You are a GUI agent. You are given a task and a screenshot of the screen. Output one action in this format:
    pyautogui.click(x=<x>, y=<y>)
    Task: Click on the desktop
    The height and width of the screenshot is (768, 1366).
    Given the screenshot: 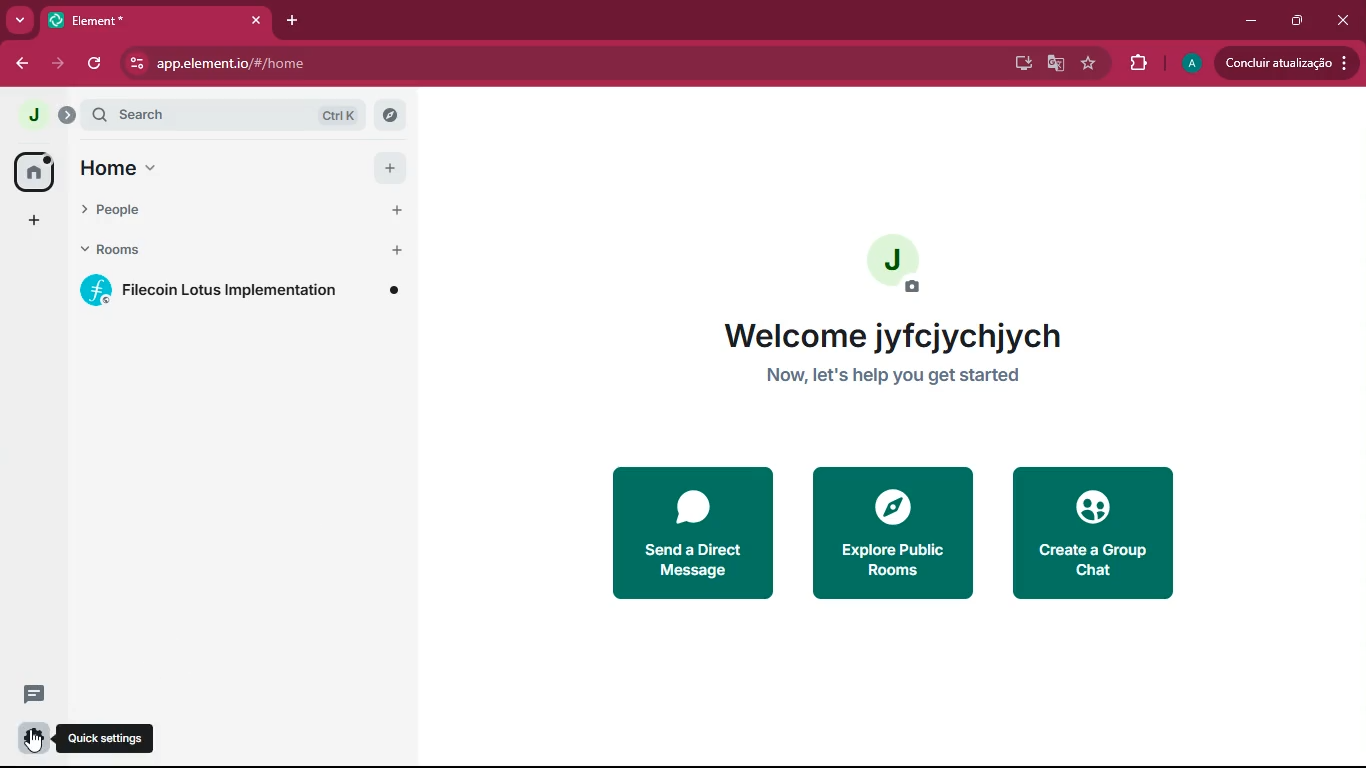 What is the action you would take?
    pyautogui.click(x=1021, y=64)
    